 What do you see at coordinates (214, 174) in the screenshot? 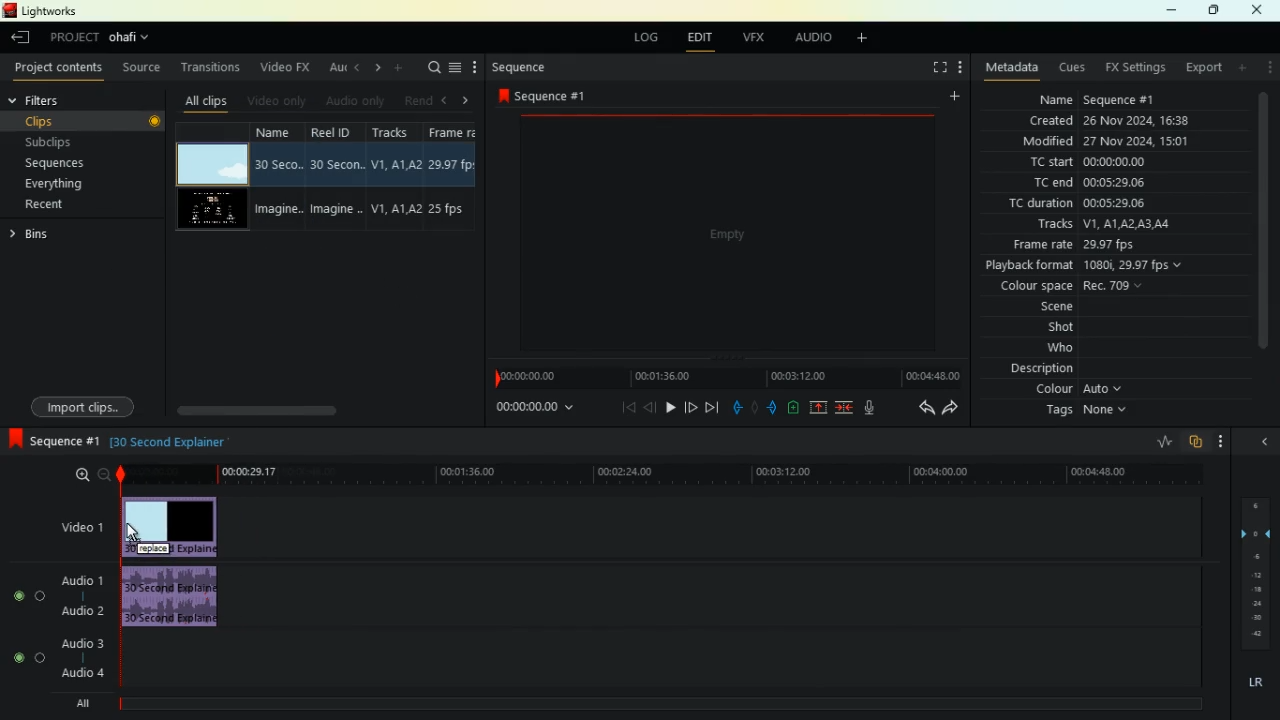
I see `Mouse Cursor` at bounding box center [214, 174].